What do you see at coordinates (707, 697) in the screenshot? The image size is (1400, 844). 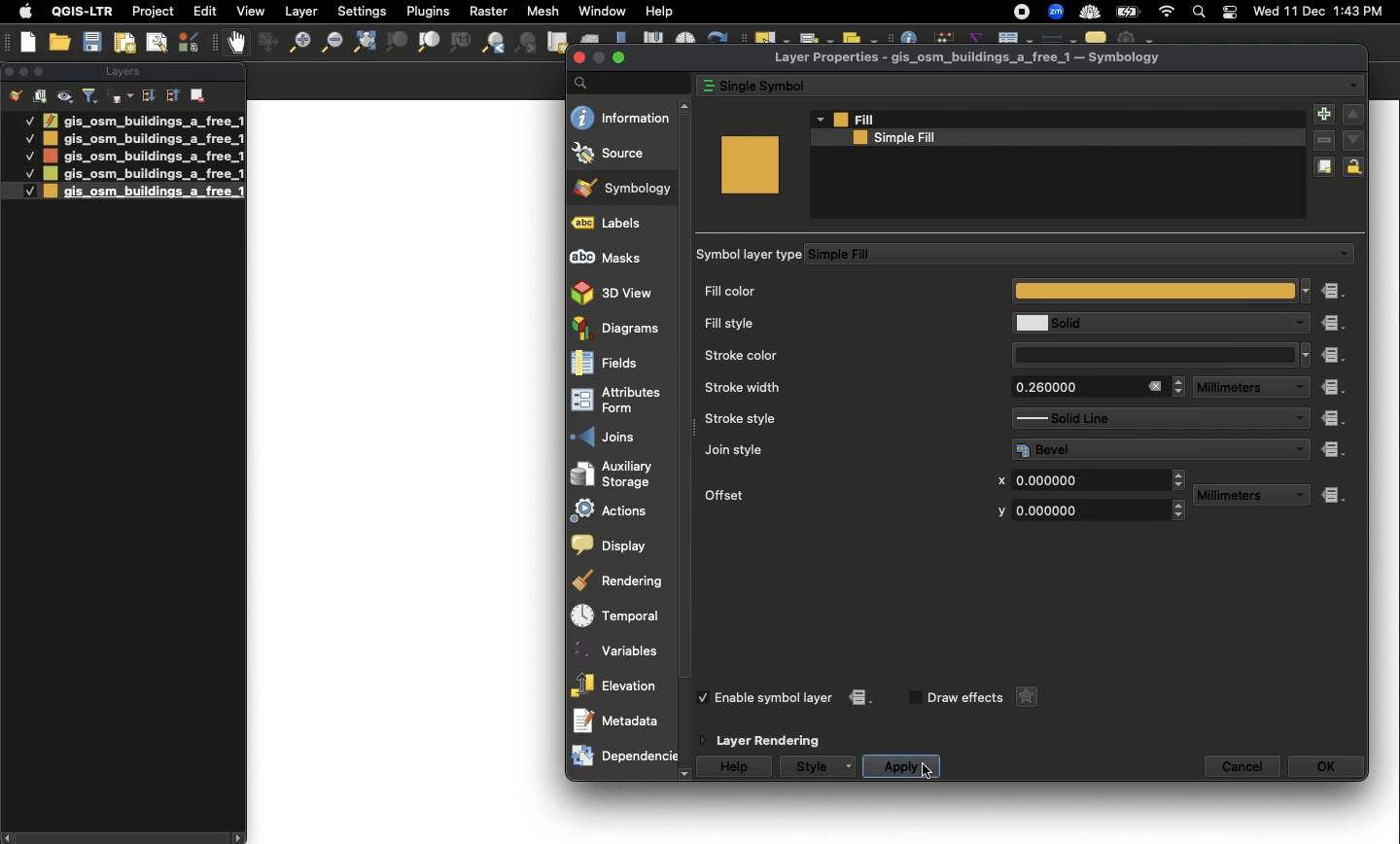 I see `checked` at bounding box center [707, 697].